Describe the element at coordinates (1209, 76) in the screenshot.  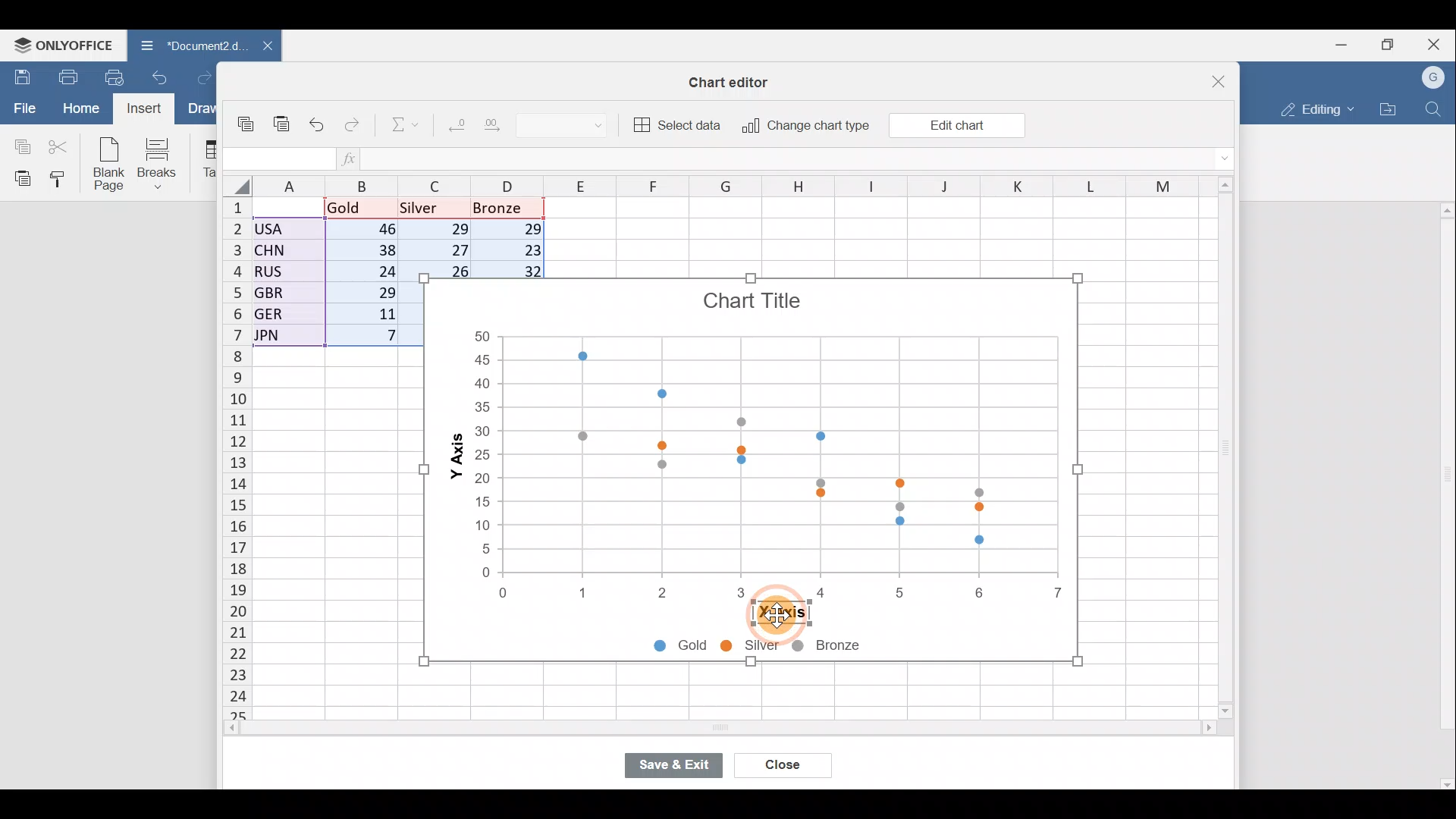
I see `Close` at that location.